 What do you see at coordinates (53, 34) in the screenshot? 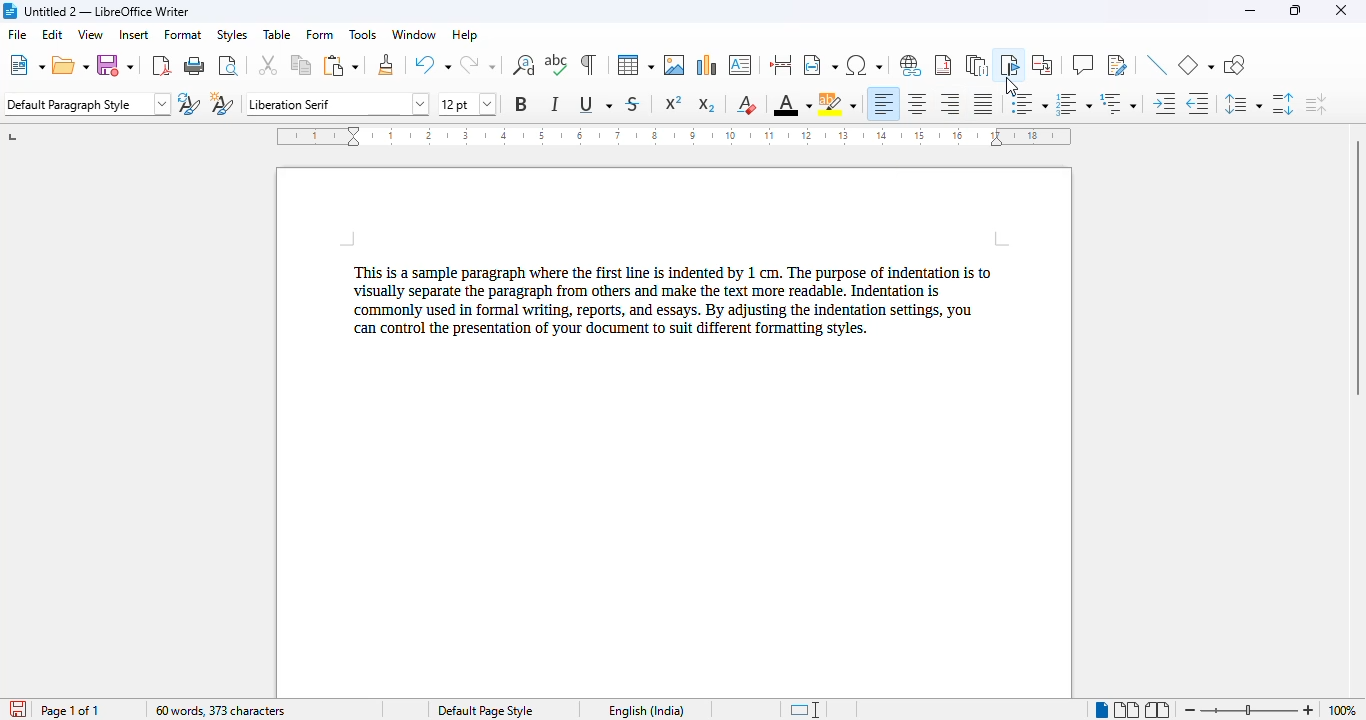
I see `edit` at bounding box center [53, 34].